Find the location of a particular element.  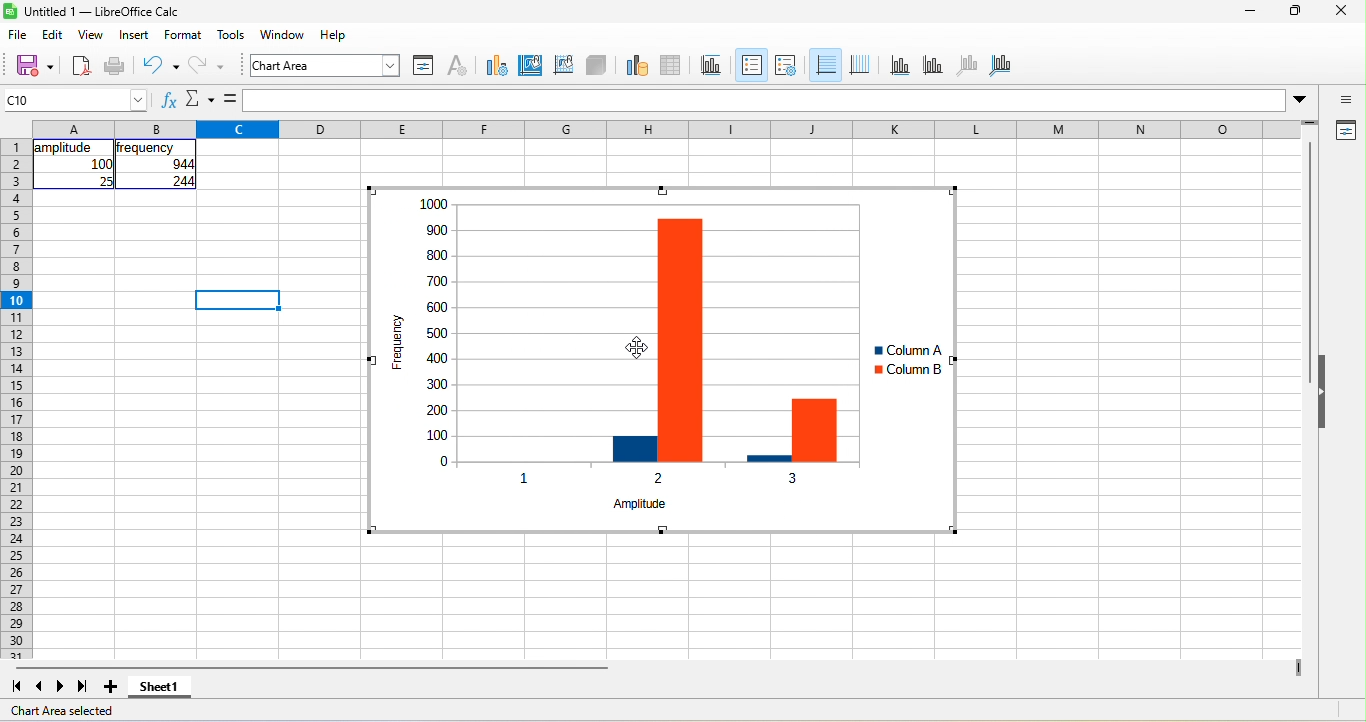

next sheet is located at coordinates (60, 687).